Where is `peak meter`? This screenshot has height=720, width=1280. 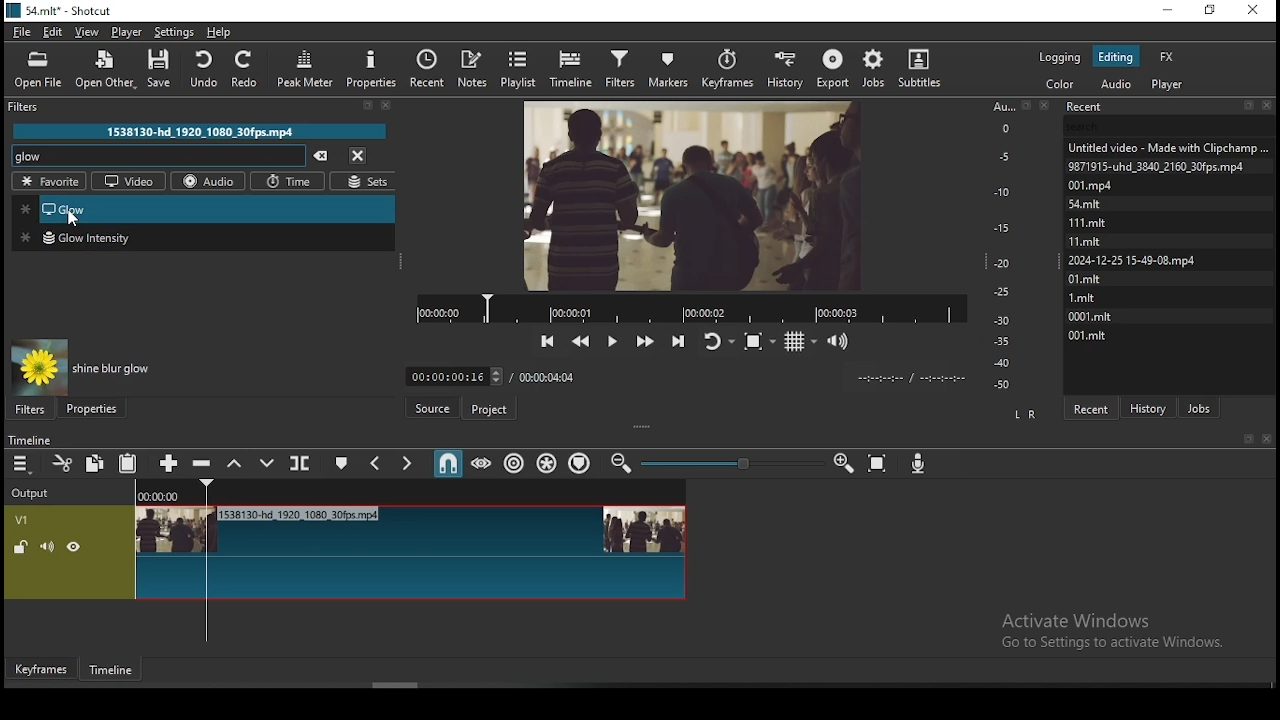
peak meter is located at coordinates (307, 73).